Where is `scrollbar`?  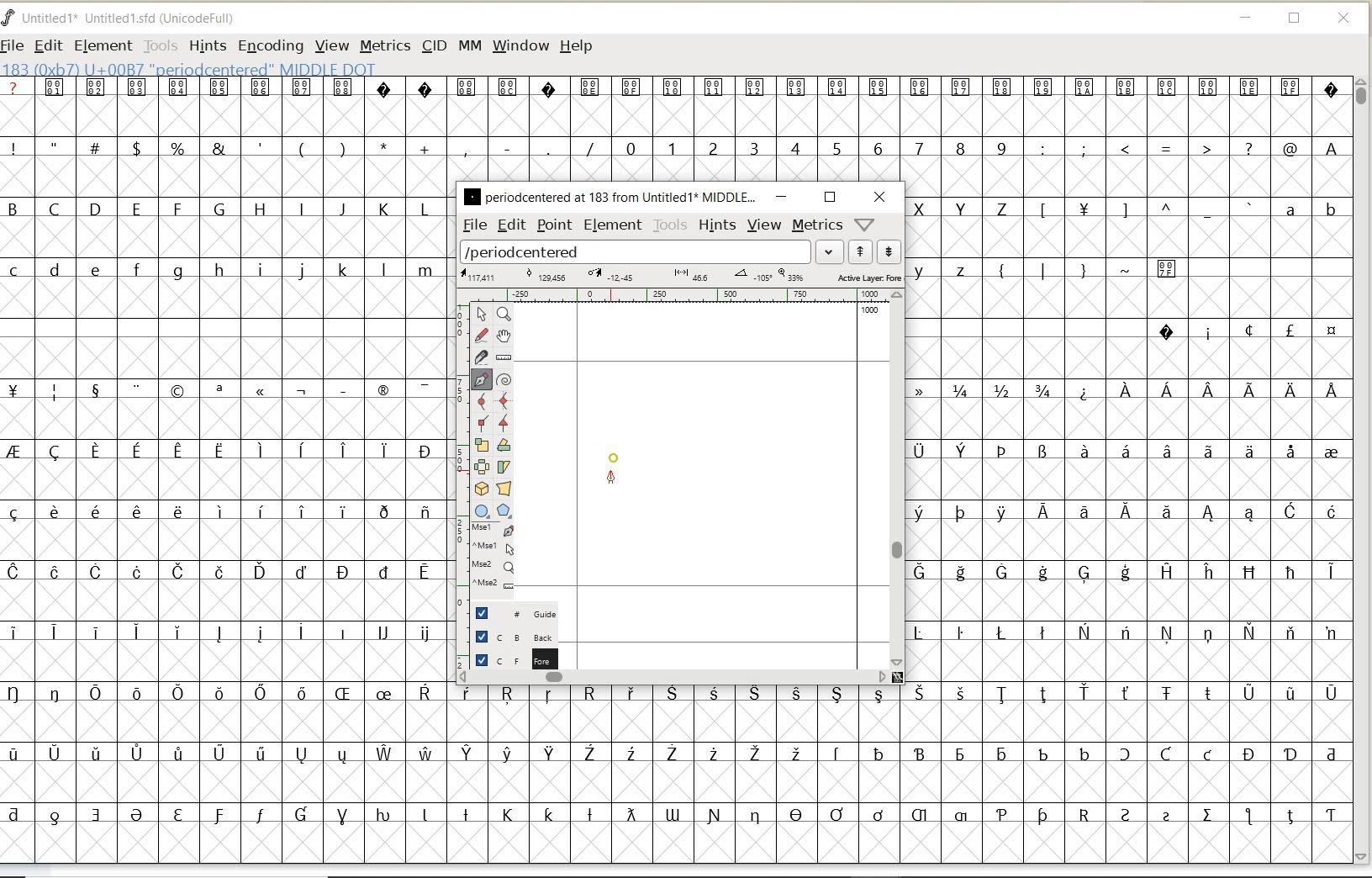
scrollbar is located at coordinates (673, 677).